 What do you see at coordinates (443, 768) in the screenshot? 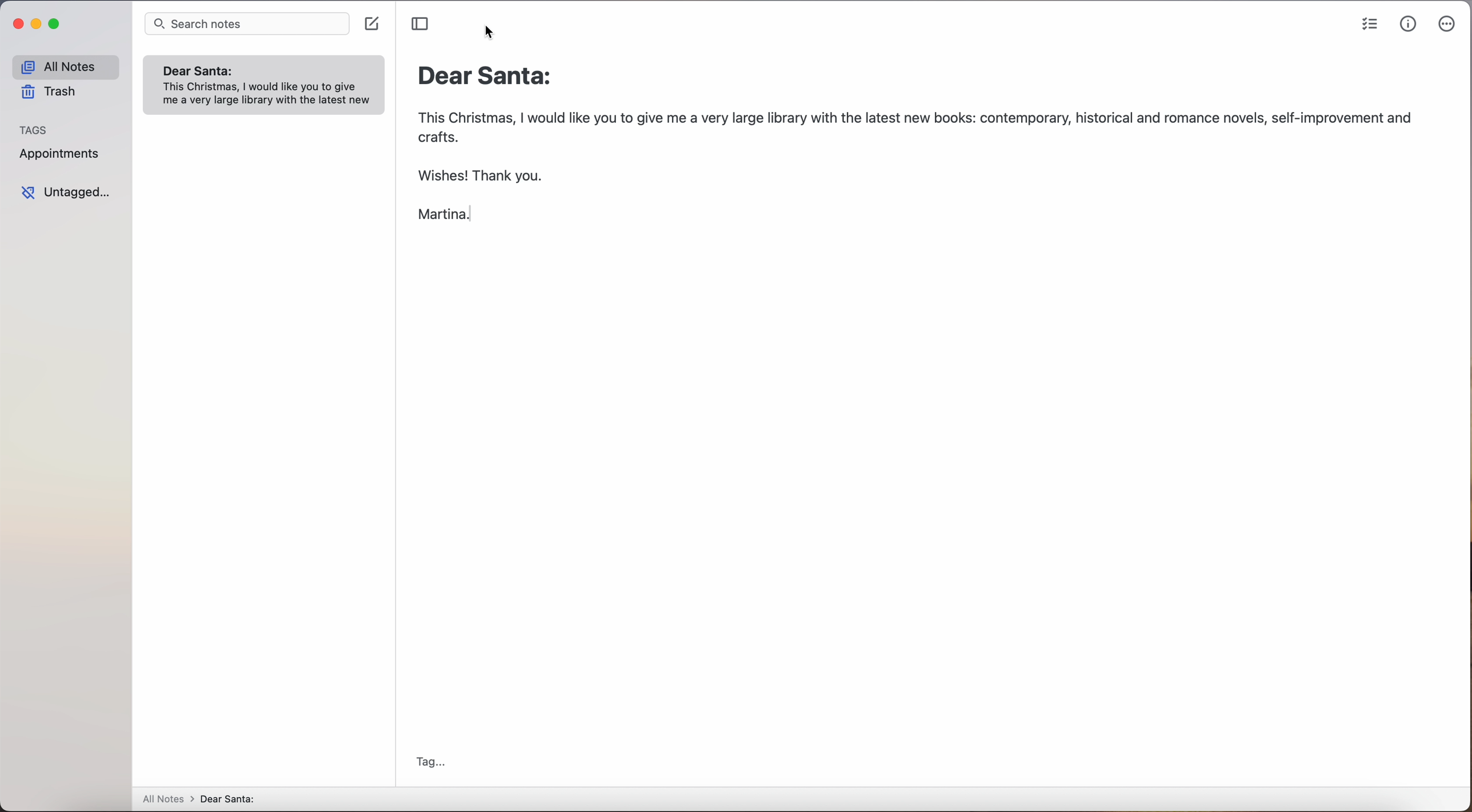
I see `tag` at bounding box center [443, 768].